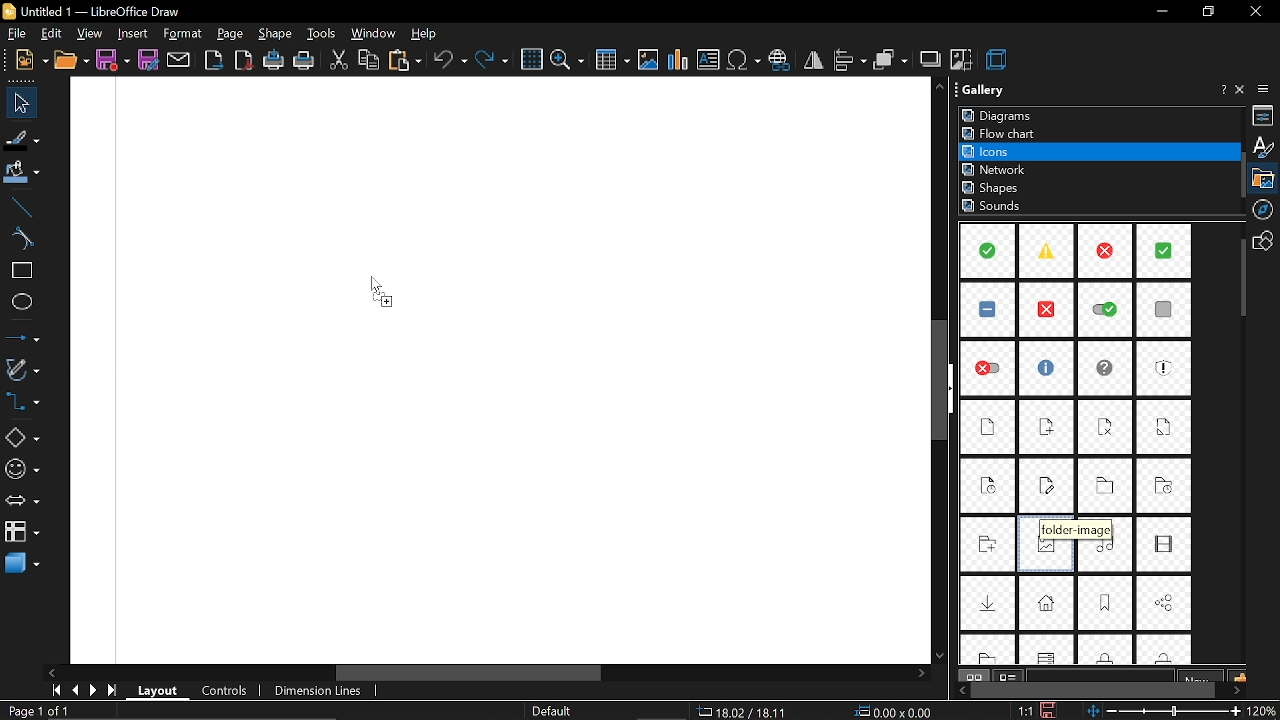  I want to click on controls, so click(222, 692).